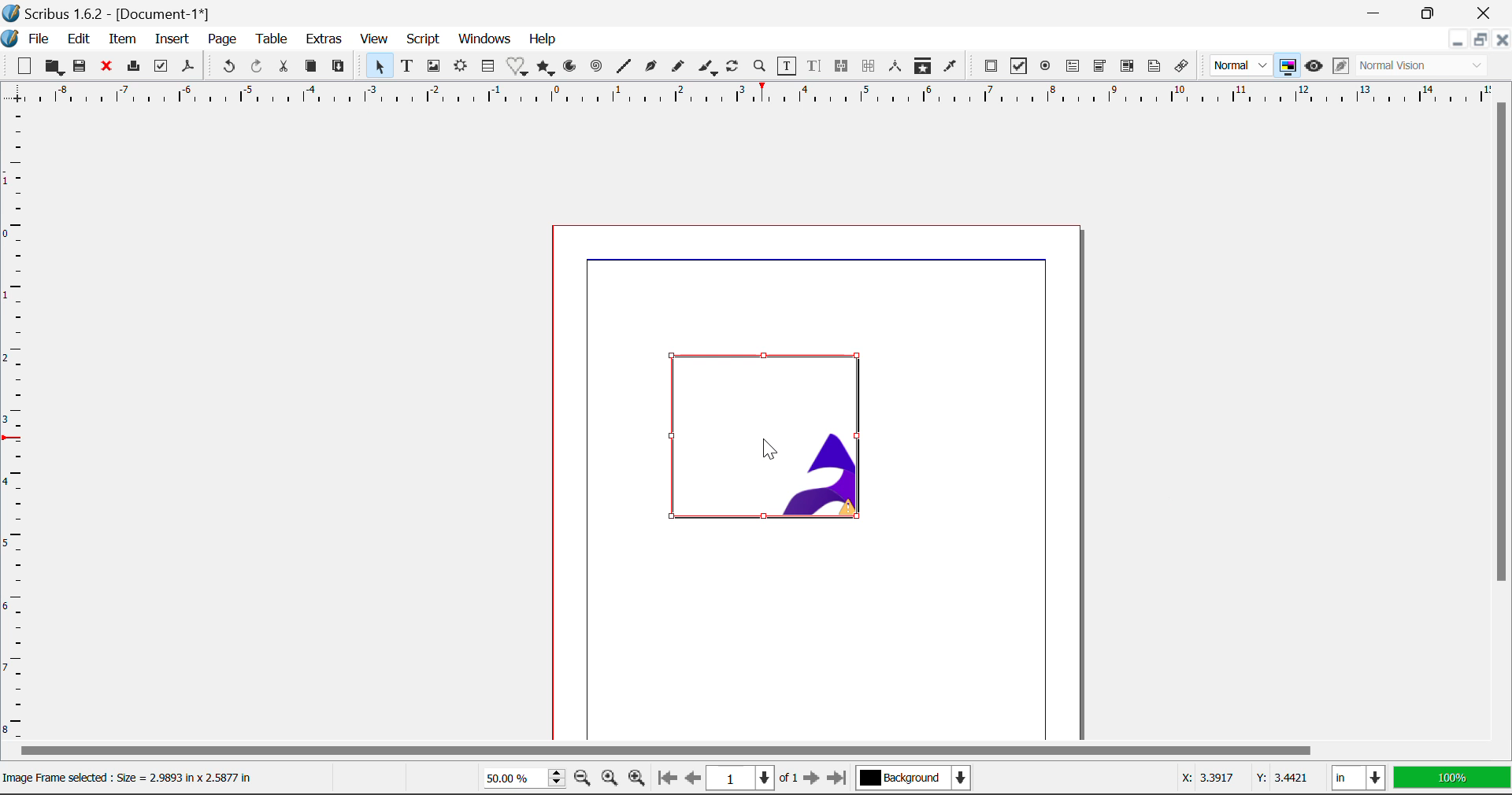 The height and width of the screenshot is (795, 1512). I want to click on Restore Down, so click(1378, 13).